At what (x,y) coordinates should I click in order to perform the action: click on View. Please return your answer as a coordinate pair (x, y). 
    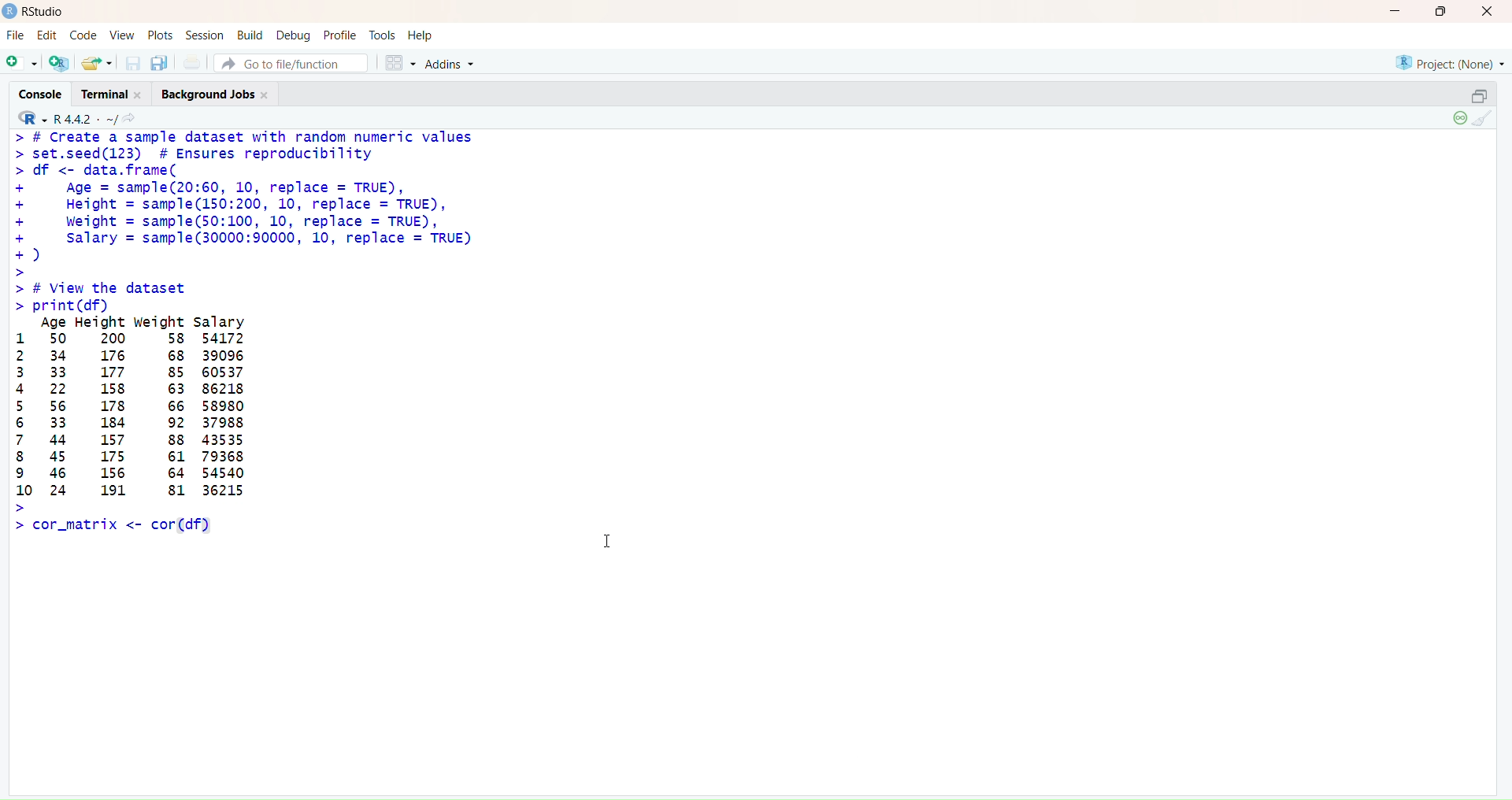
    Looking at the image, I should click on (121, 35).